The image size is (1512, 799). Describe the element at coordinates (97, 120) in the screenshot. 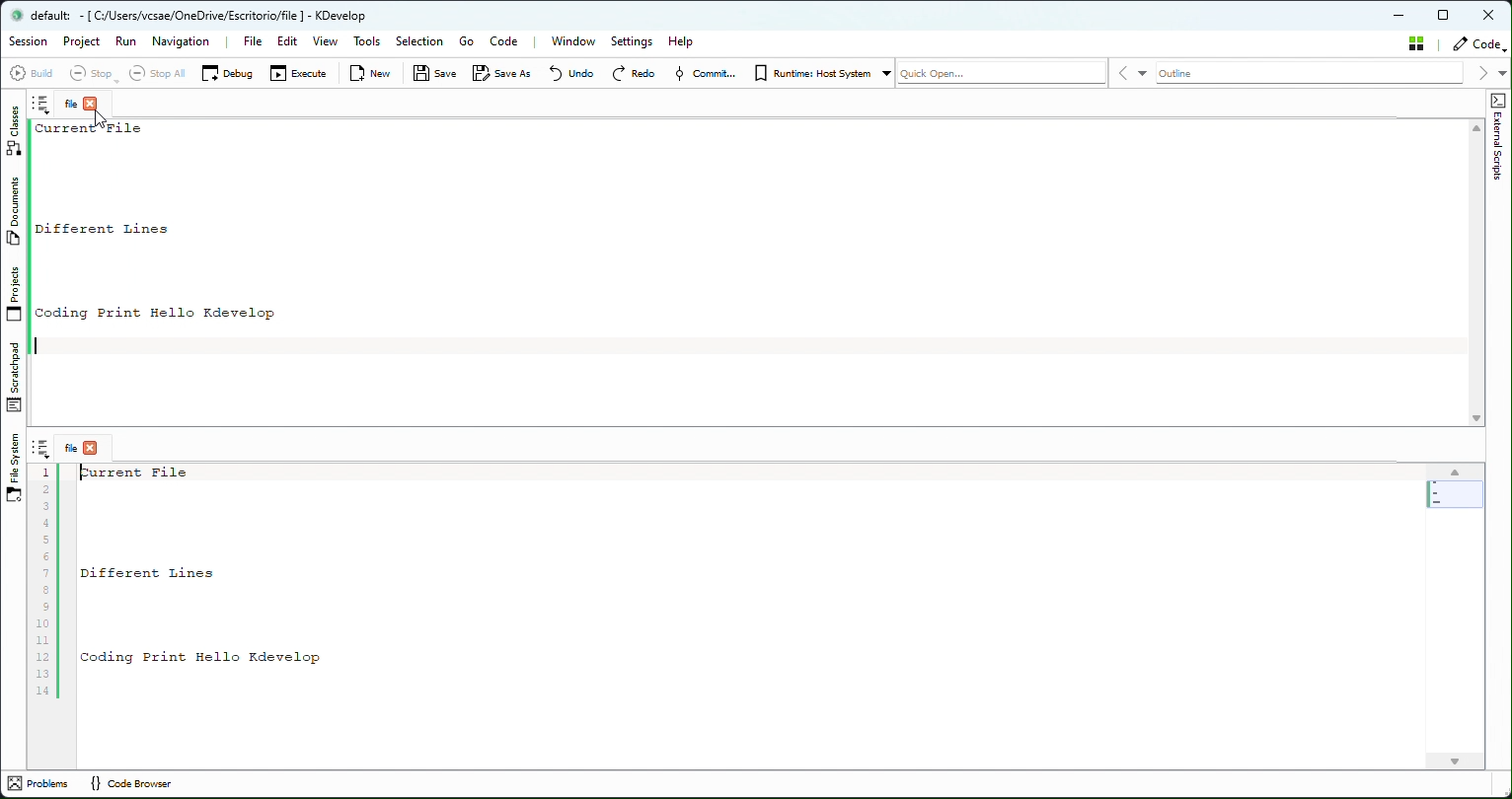

I see `cursor` at that location.